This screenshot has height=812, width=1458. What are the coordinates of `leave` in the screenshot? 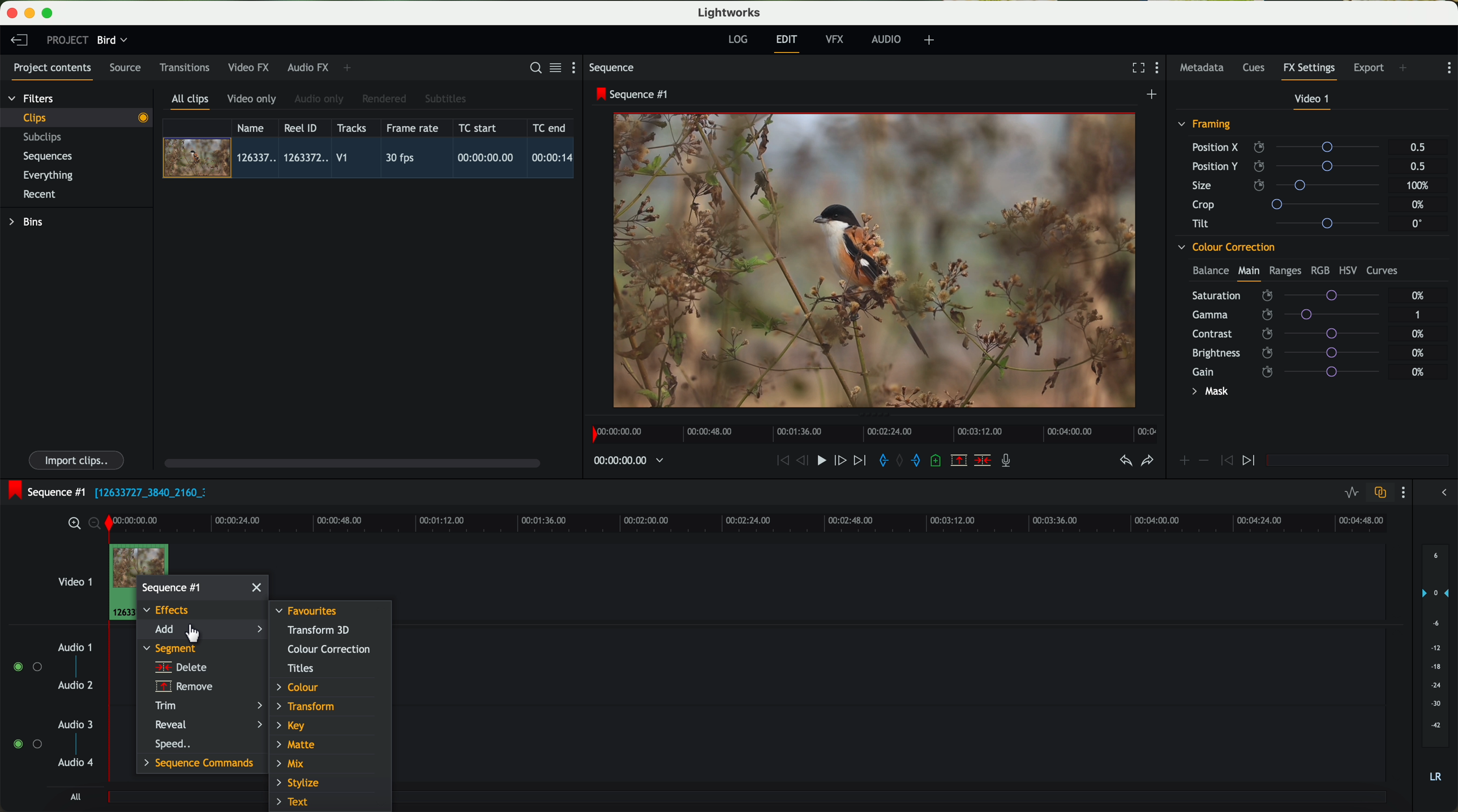 It's located at (19, 41).